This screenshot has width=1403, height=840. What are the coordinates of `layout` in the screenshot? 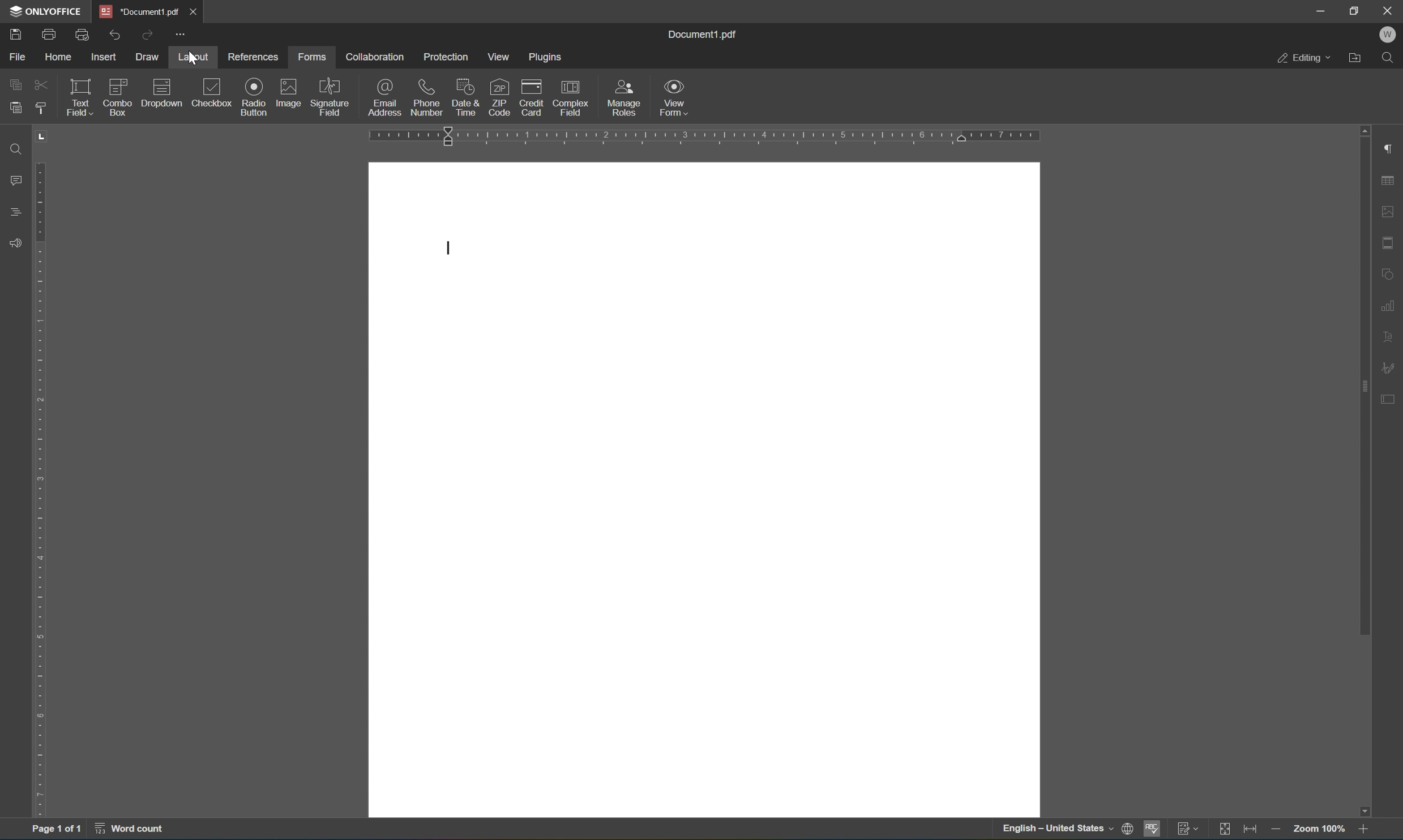 It's located at (192, 55).